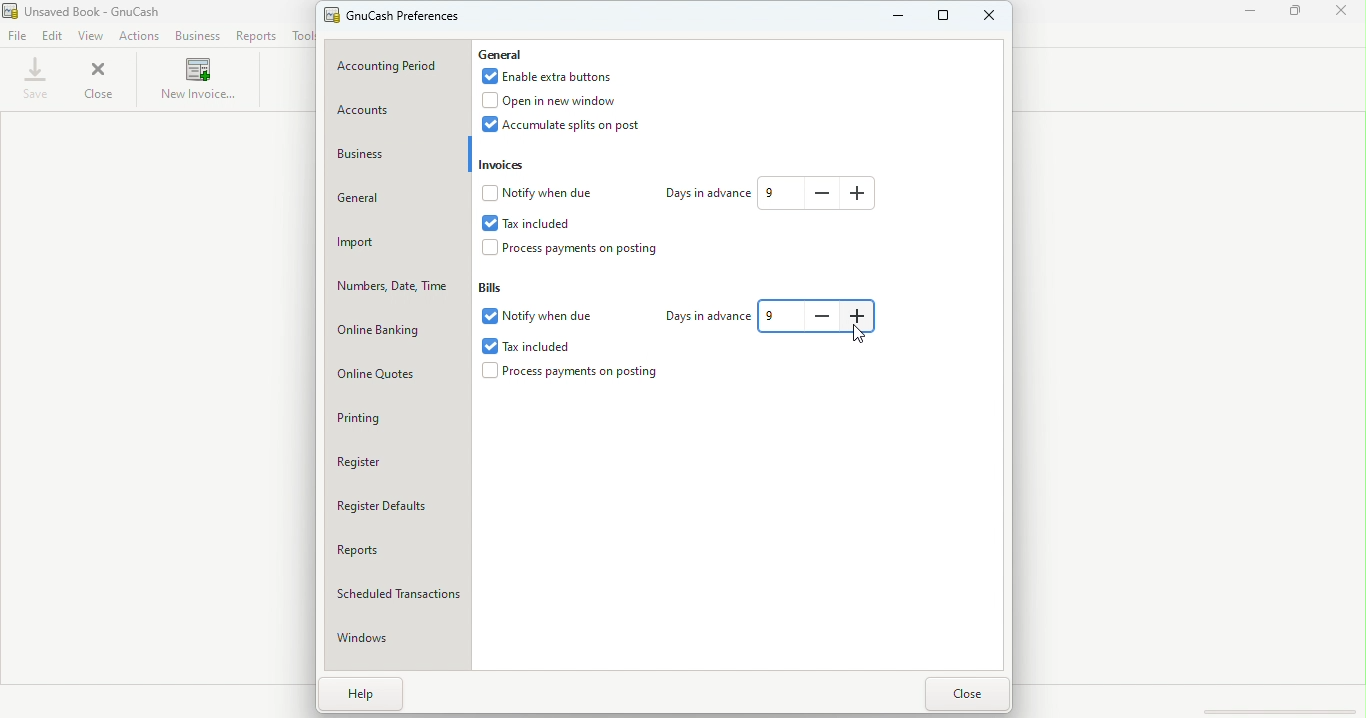  What do you see at coordinates (706, 195) in the screenshot?
I see `Days in advance` at bounding box center [706, 195].